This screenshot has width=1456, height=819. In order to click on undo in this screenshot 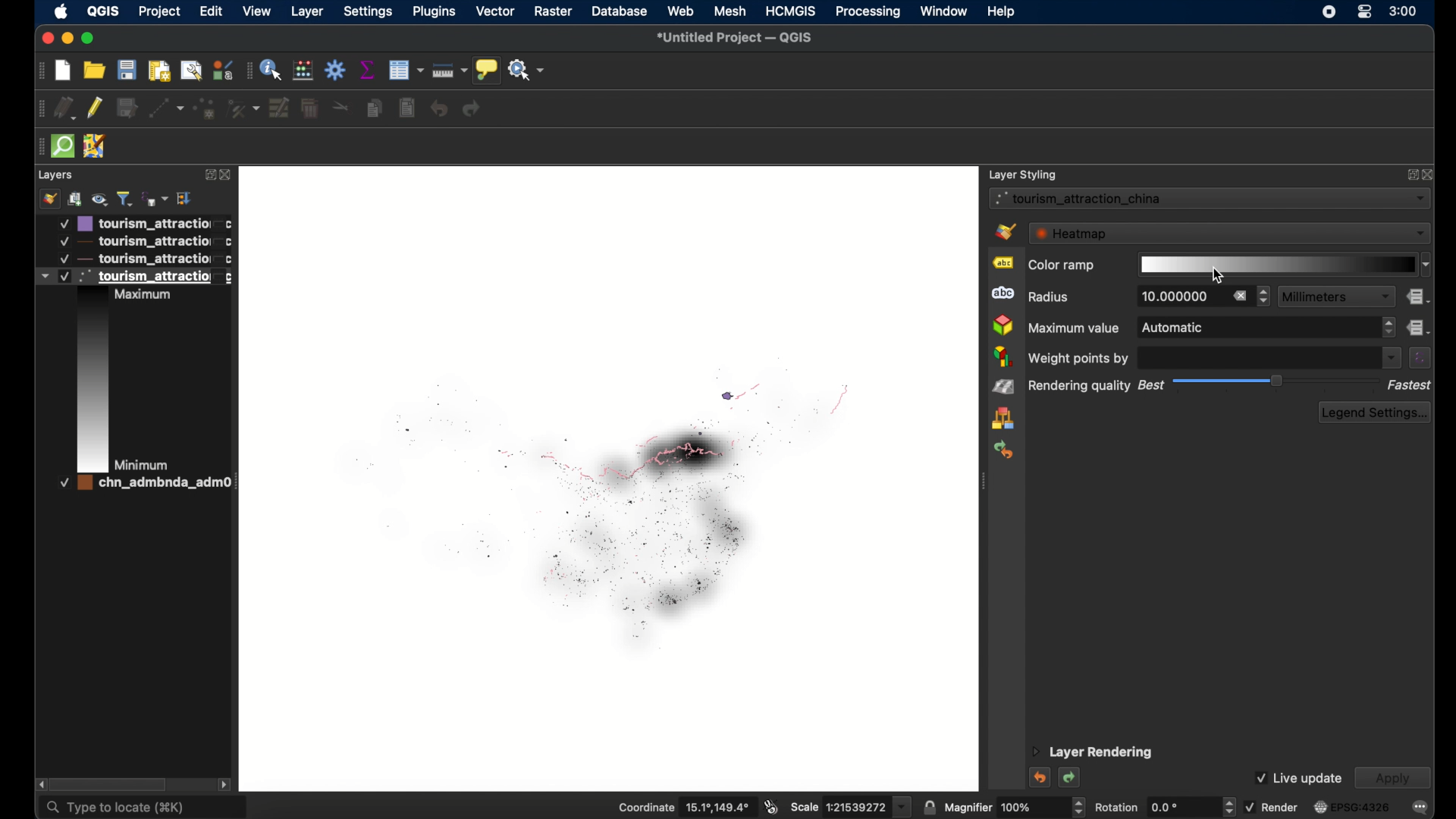, I will do `click(439, 110)`.